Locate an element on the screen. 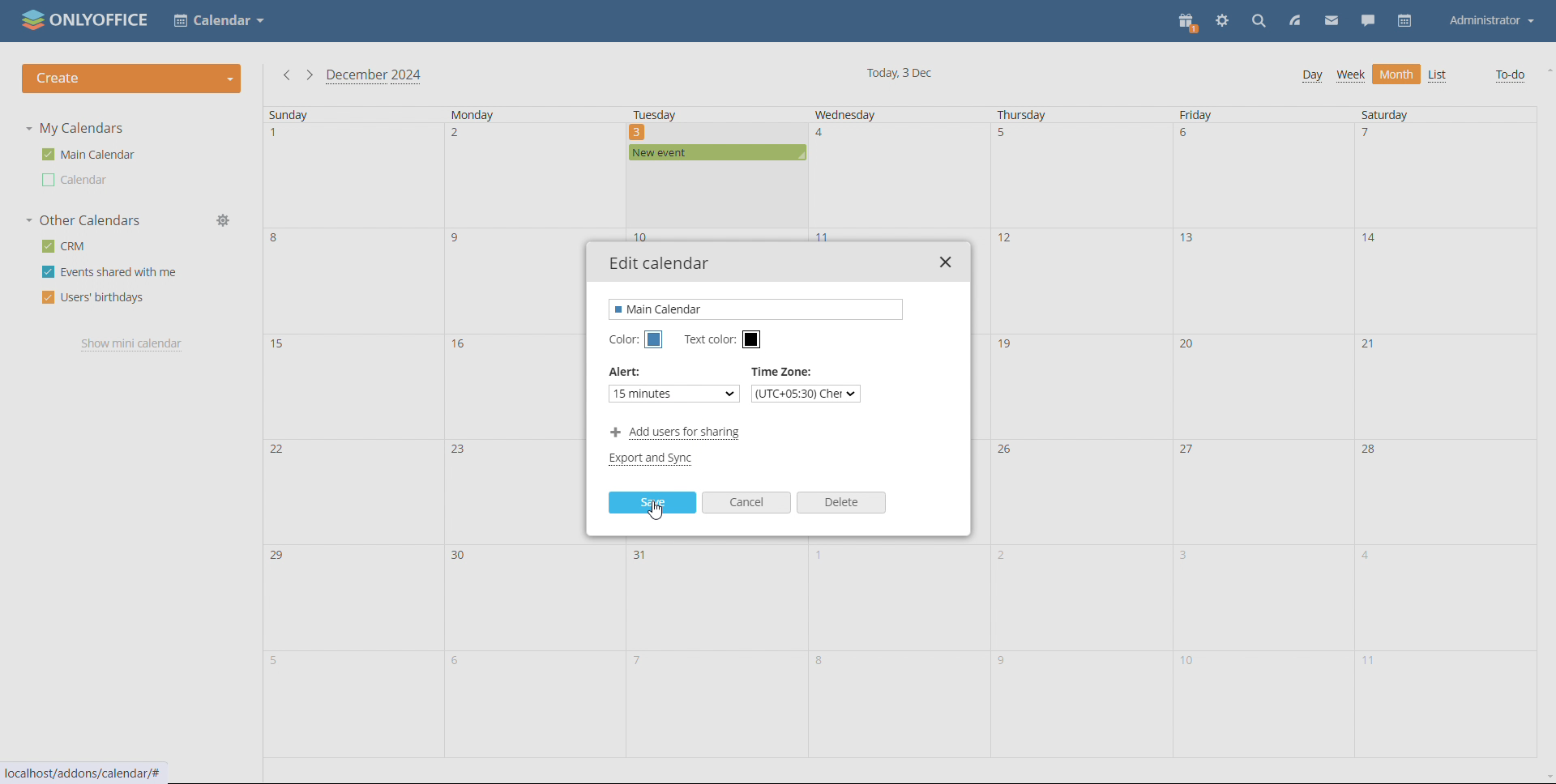  cancel is located at coordinates (746, 502).